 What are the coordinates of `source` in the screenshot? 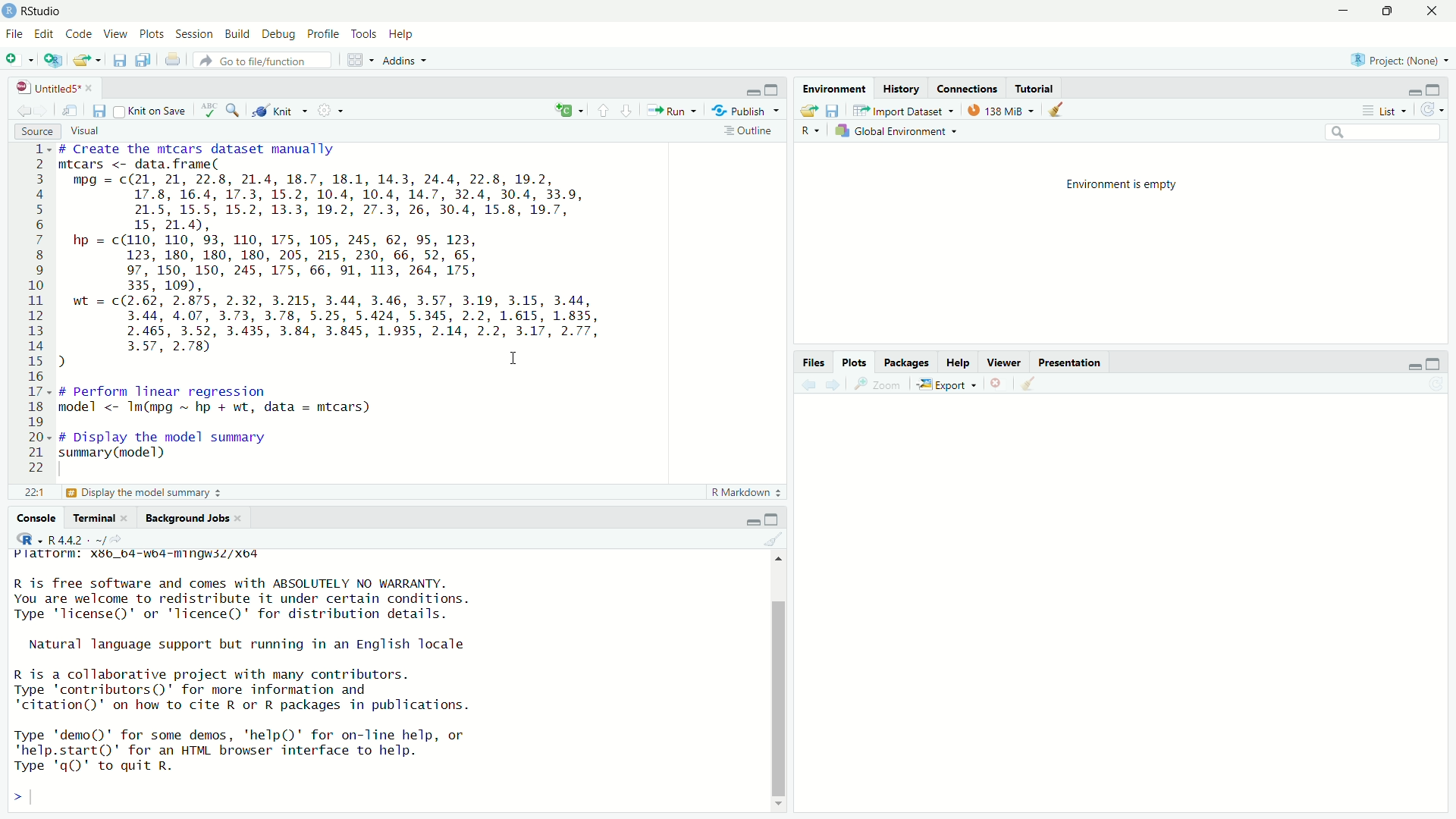 It's located at (36, 133).